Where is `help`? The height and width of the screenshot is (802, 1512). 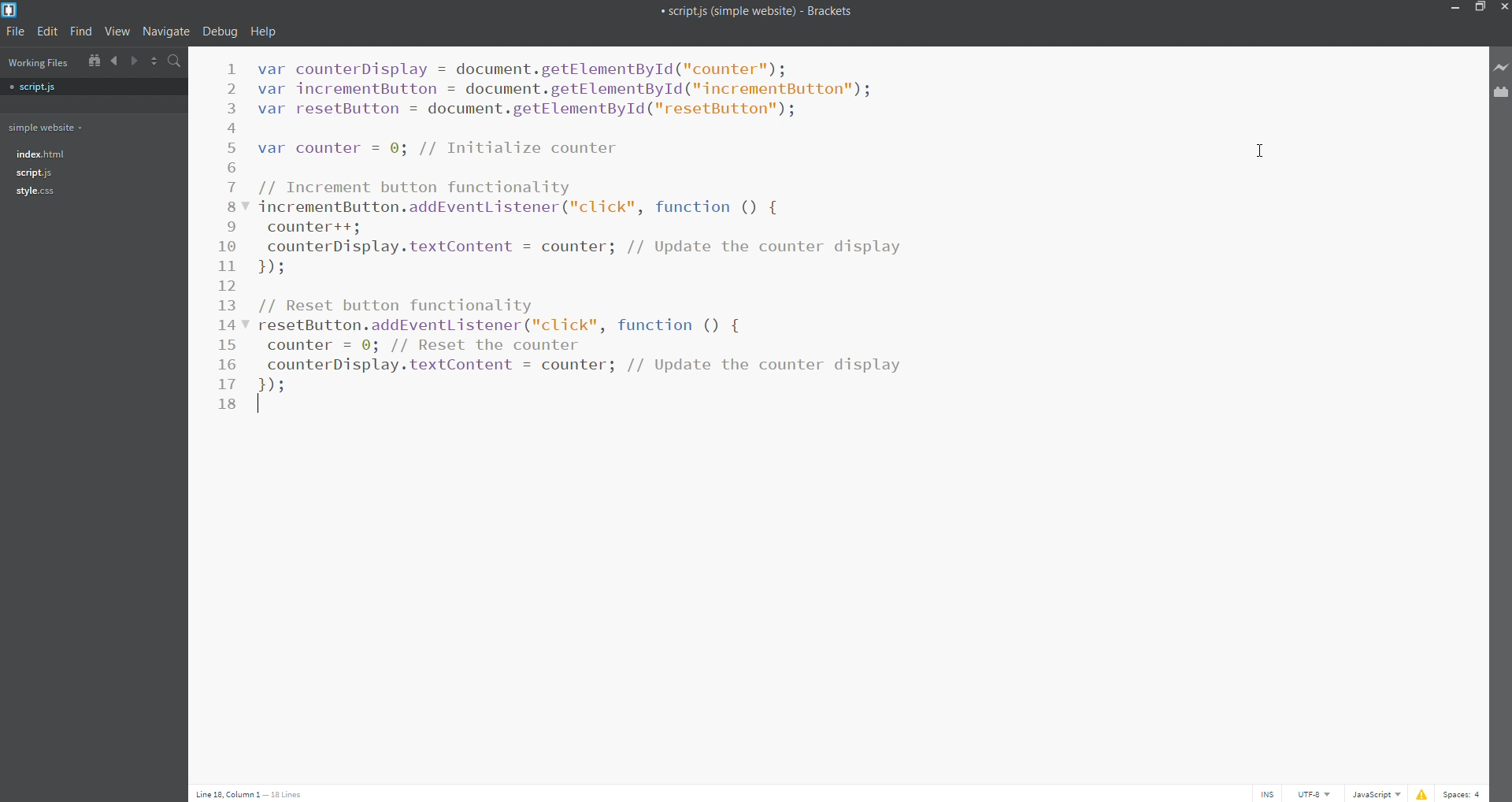
help is located at coordinates (263, 32).